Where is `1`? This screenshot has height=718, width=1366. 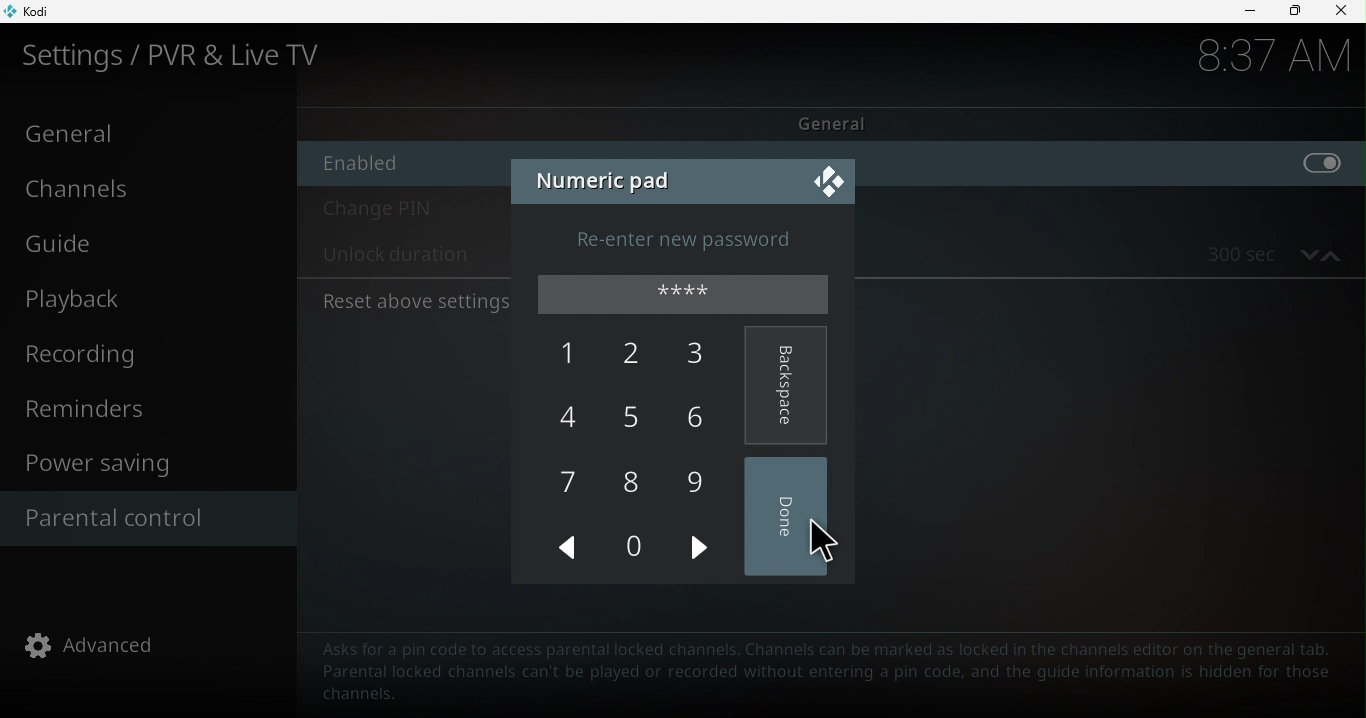 1 is located at coordinates (571, 354).